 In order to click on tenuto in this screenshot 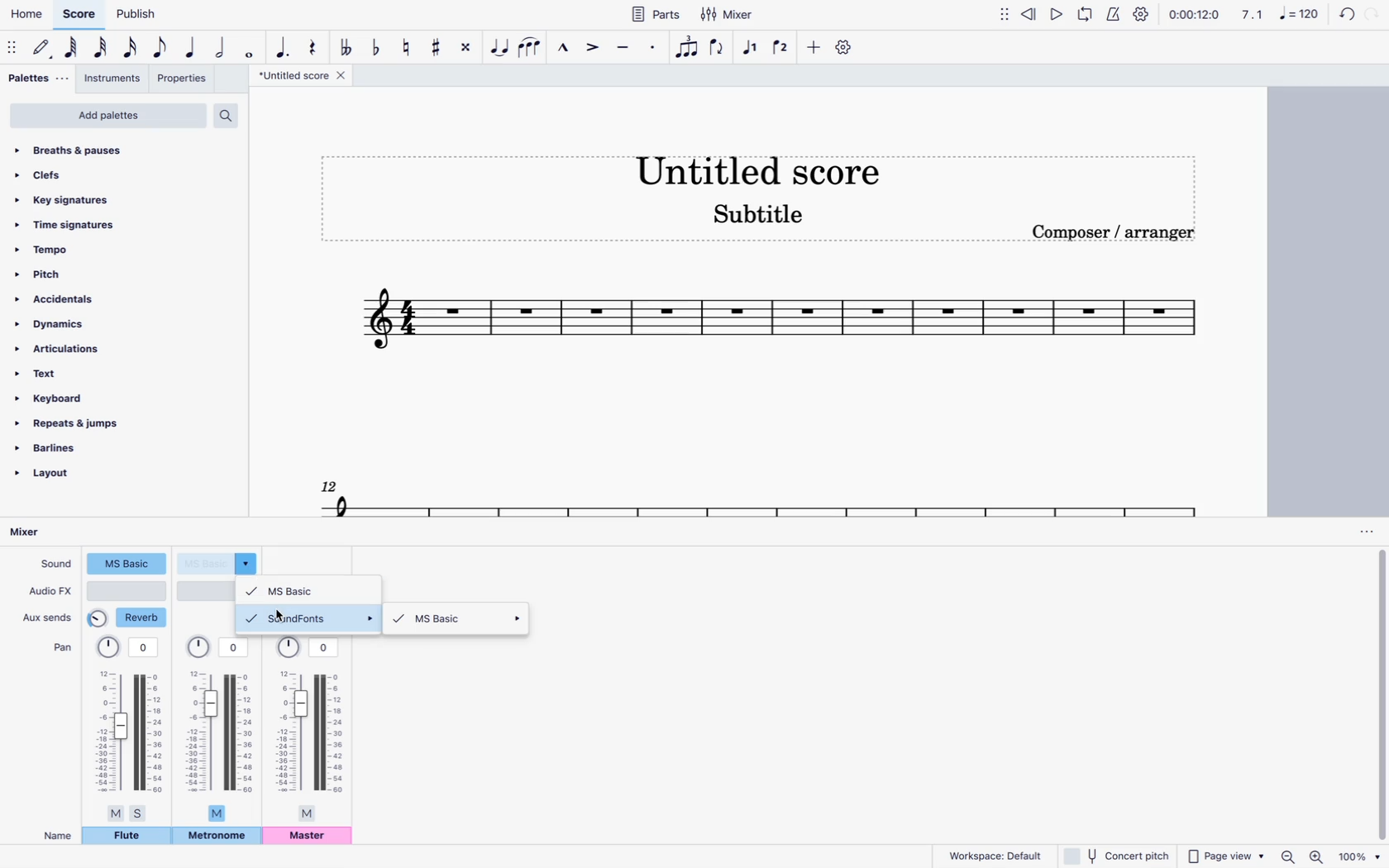, I will do `click(621, 48)`.